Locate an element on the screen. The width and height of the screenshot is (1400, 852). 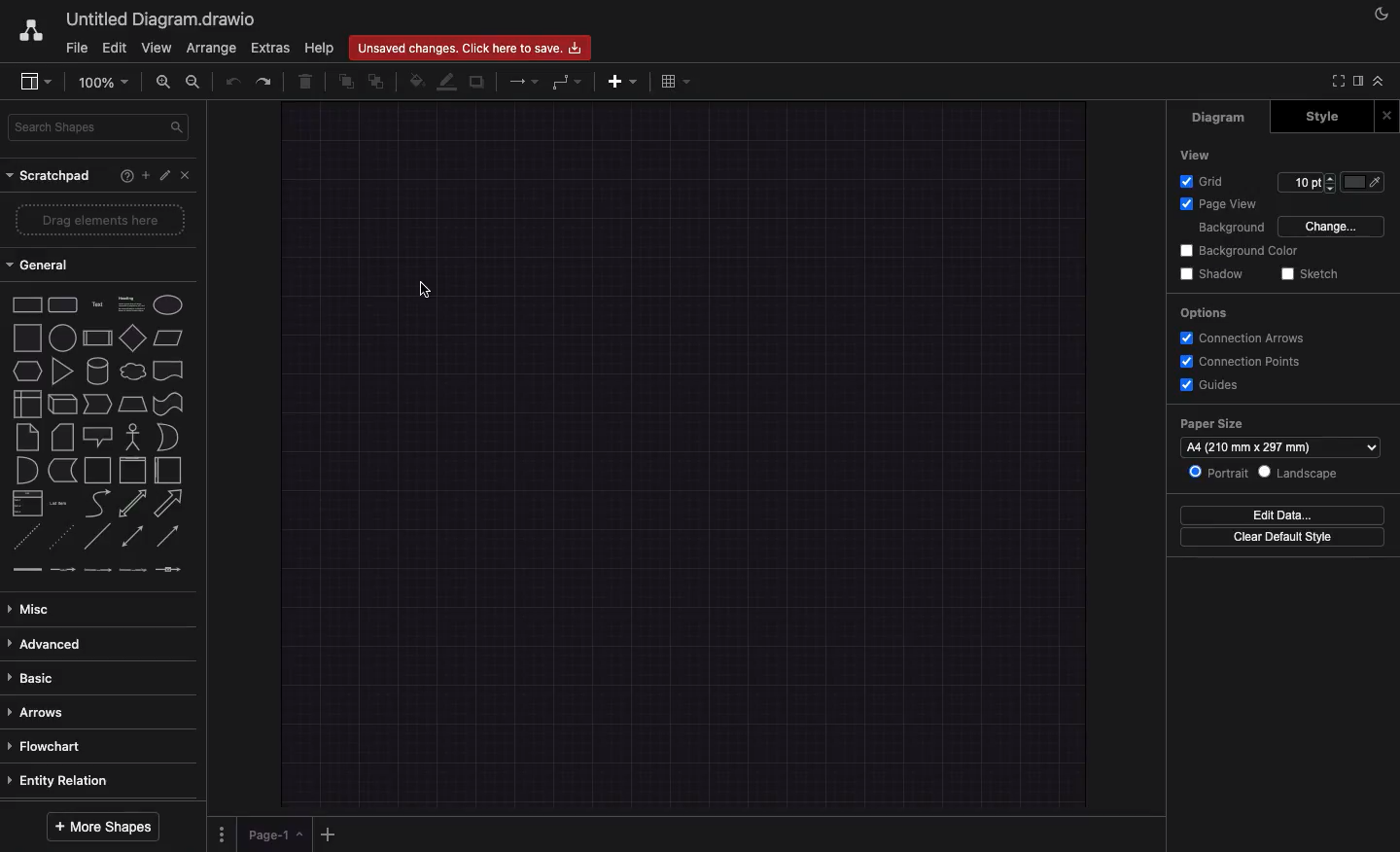
Close is located at coordinates (191, 173).